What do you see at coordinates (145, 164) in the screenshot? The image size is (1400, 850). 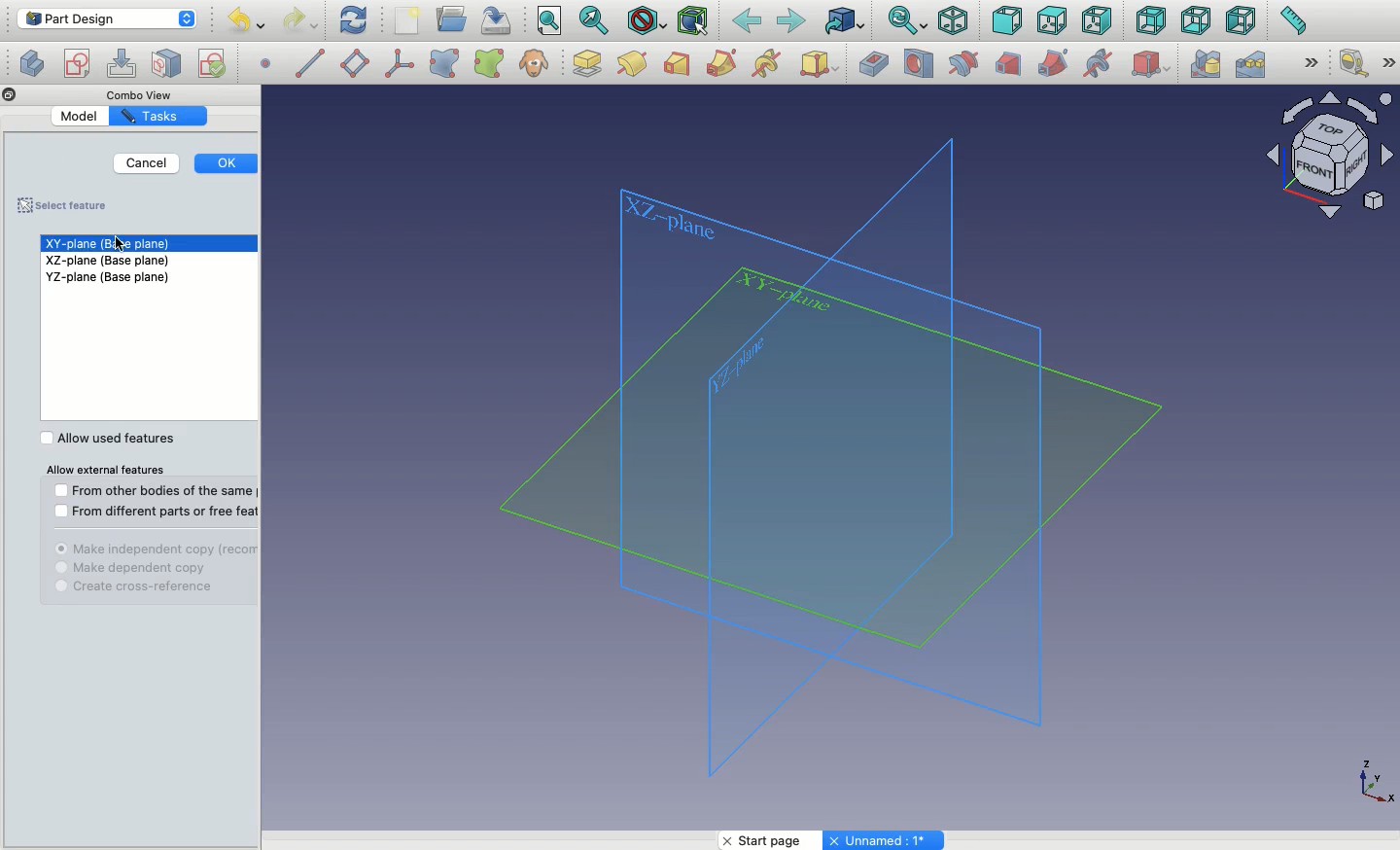 I see `Cancel` at bounding box center [145, 164].